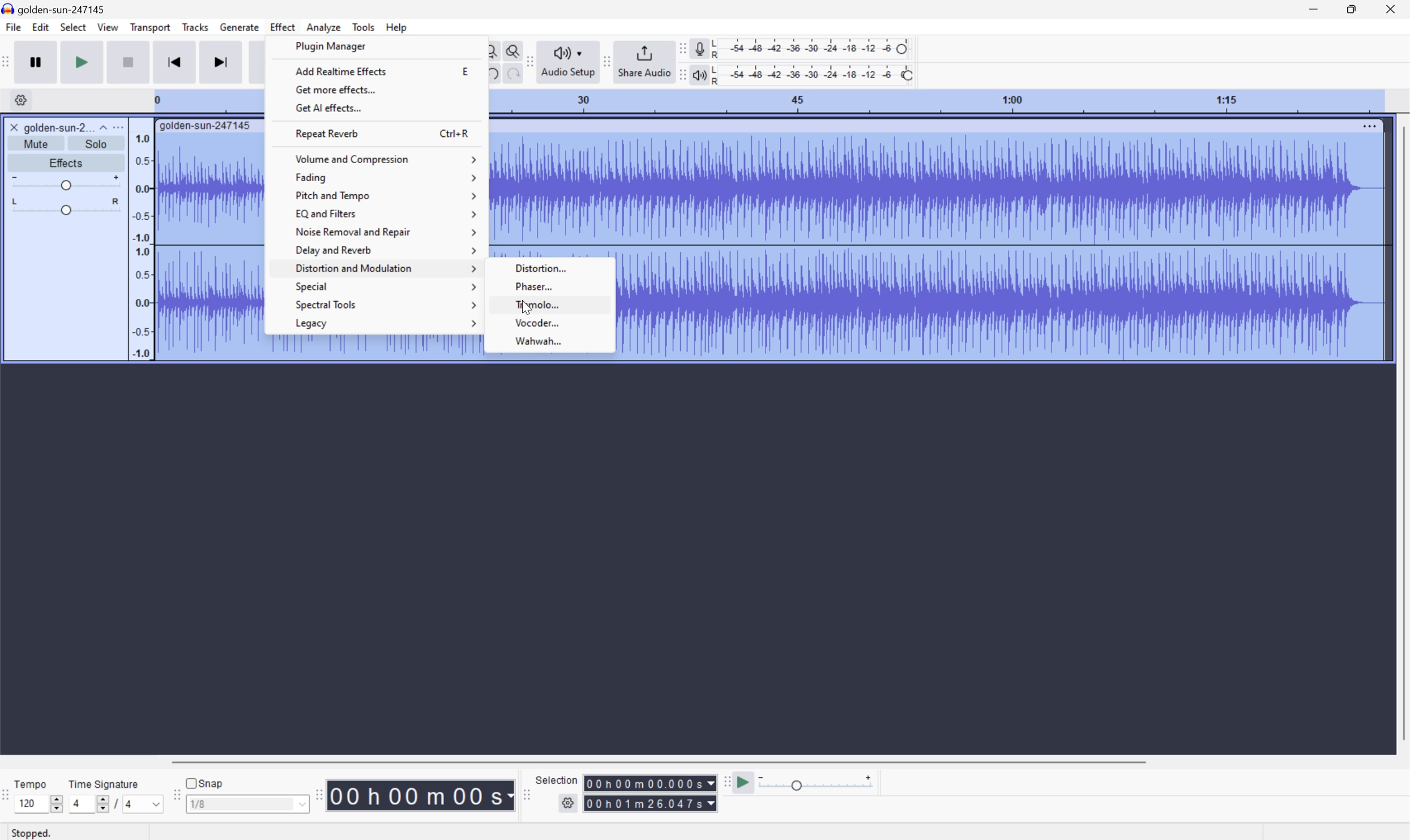 This screenshot has height=840, width=1410. Describe the element at coordinates (385, 156) in the screenshot. I see `Volume and compression` at that location.